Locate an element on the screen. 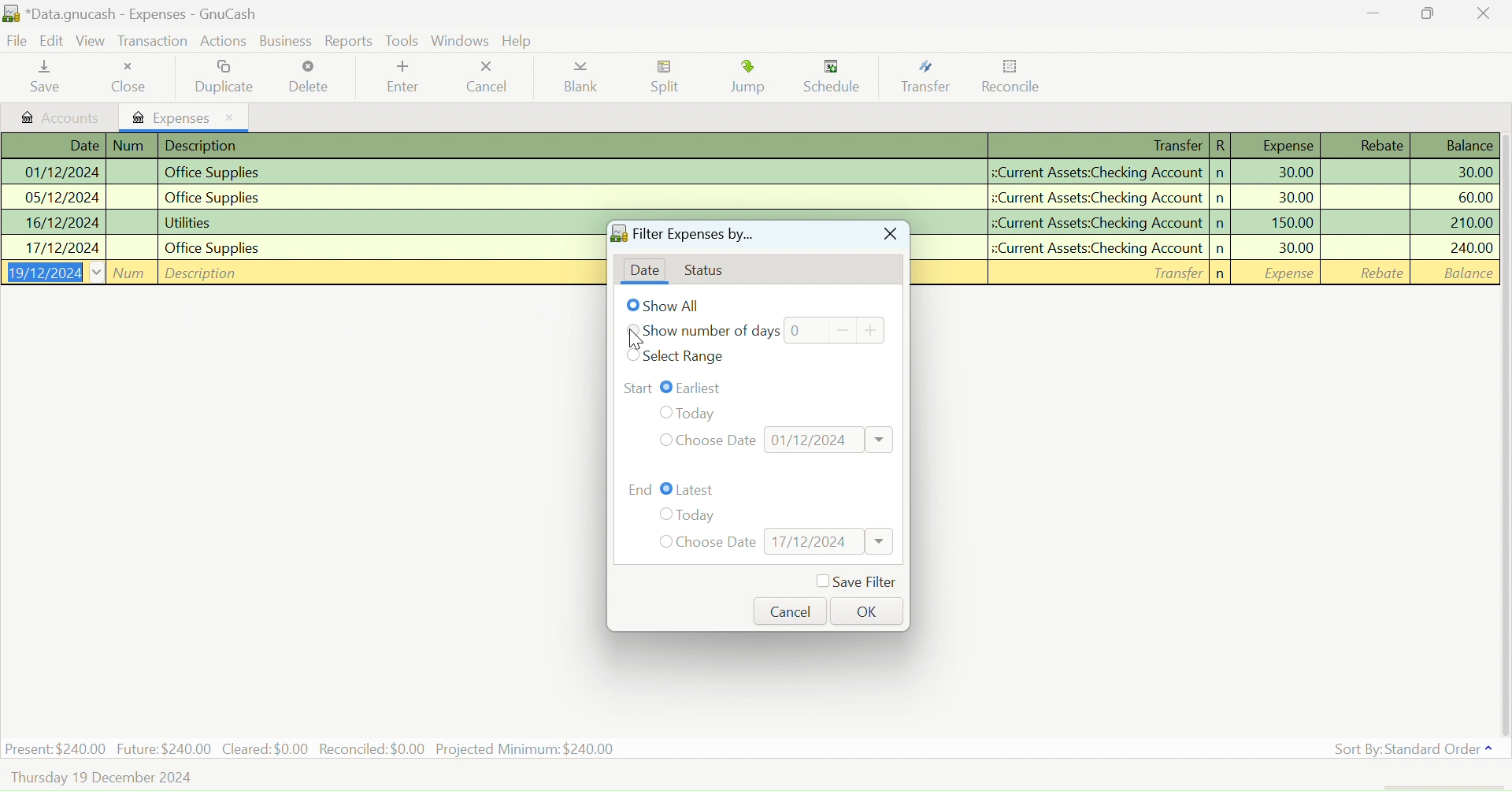  Checkbox is located at coordinates (663, 541).